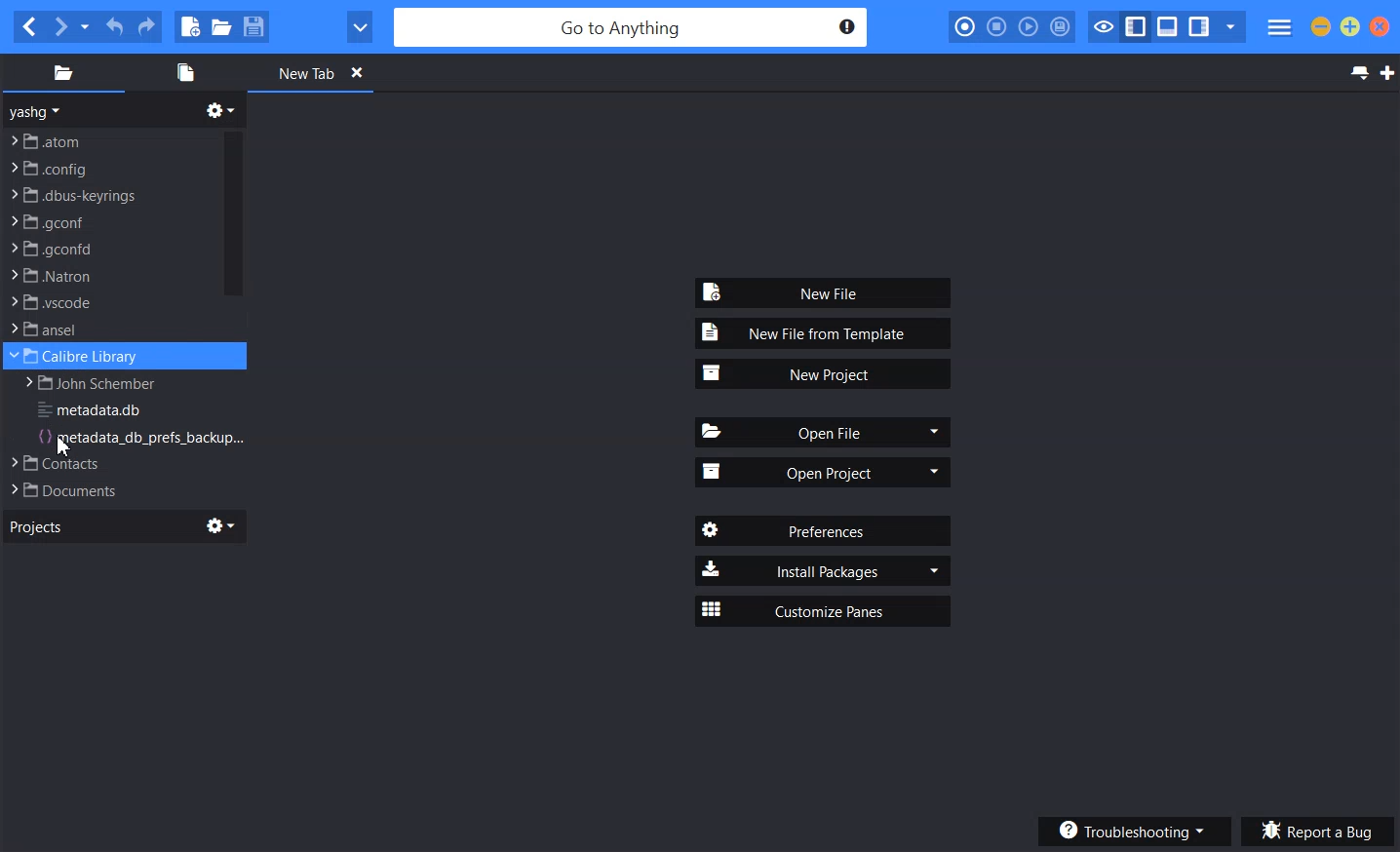  Describe the element at coordinates (253, 26) in the screenshot. I see `Save file` at that location.